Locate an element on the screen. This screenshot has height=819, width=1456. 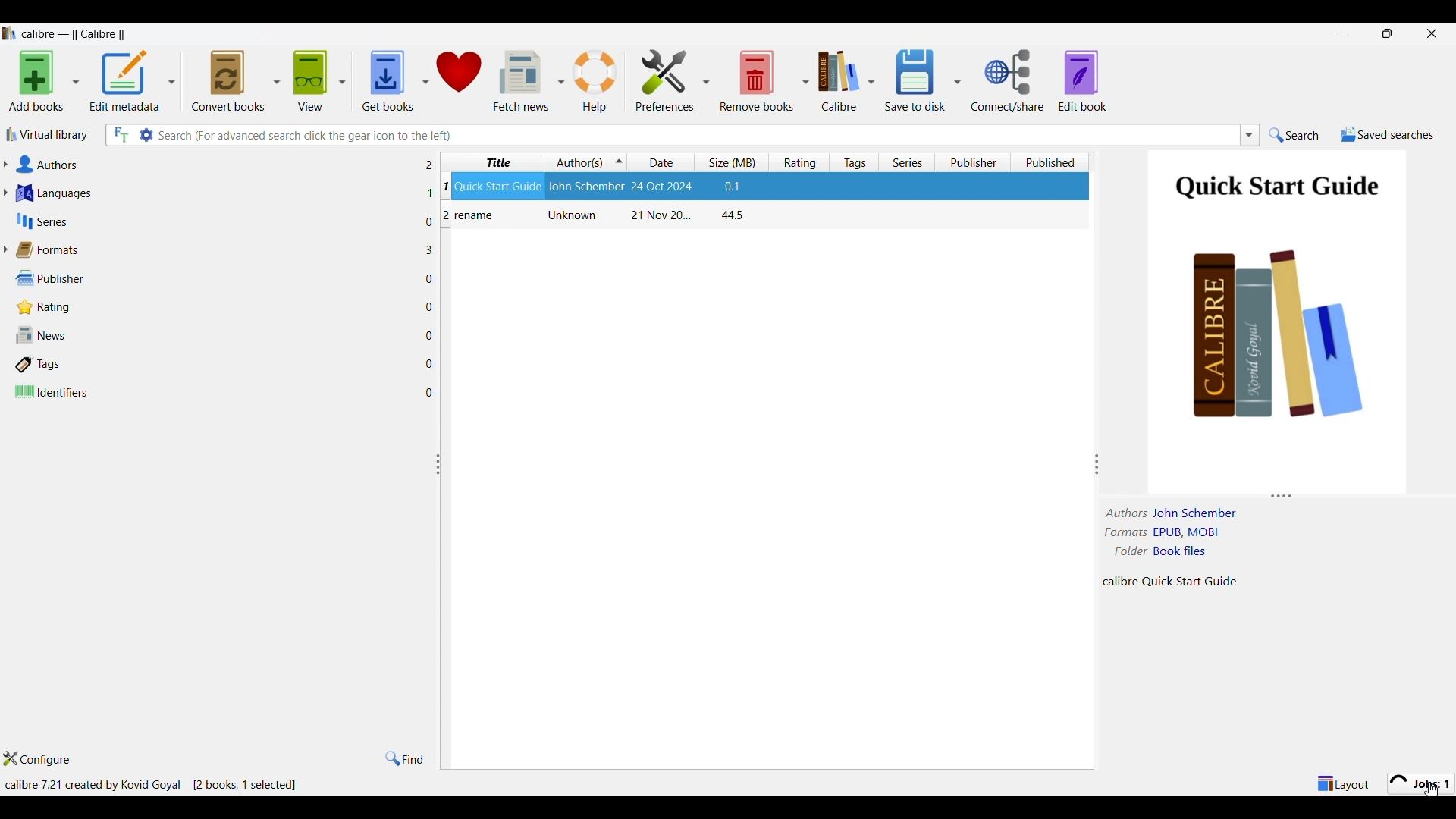
Author name is located at coordinates (1197, 513).